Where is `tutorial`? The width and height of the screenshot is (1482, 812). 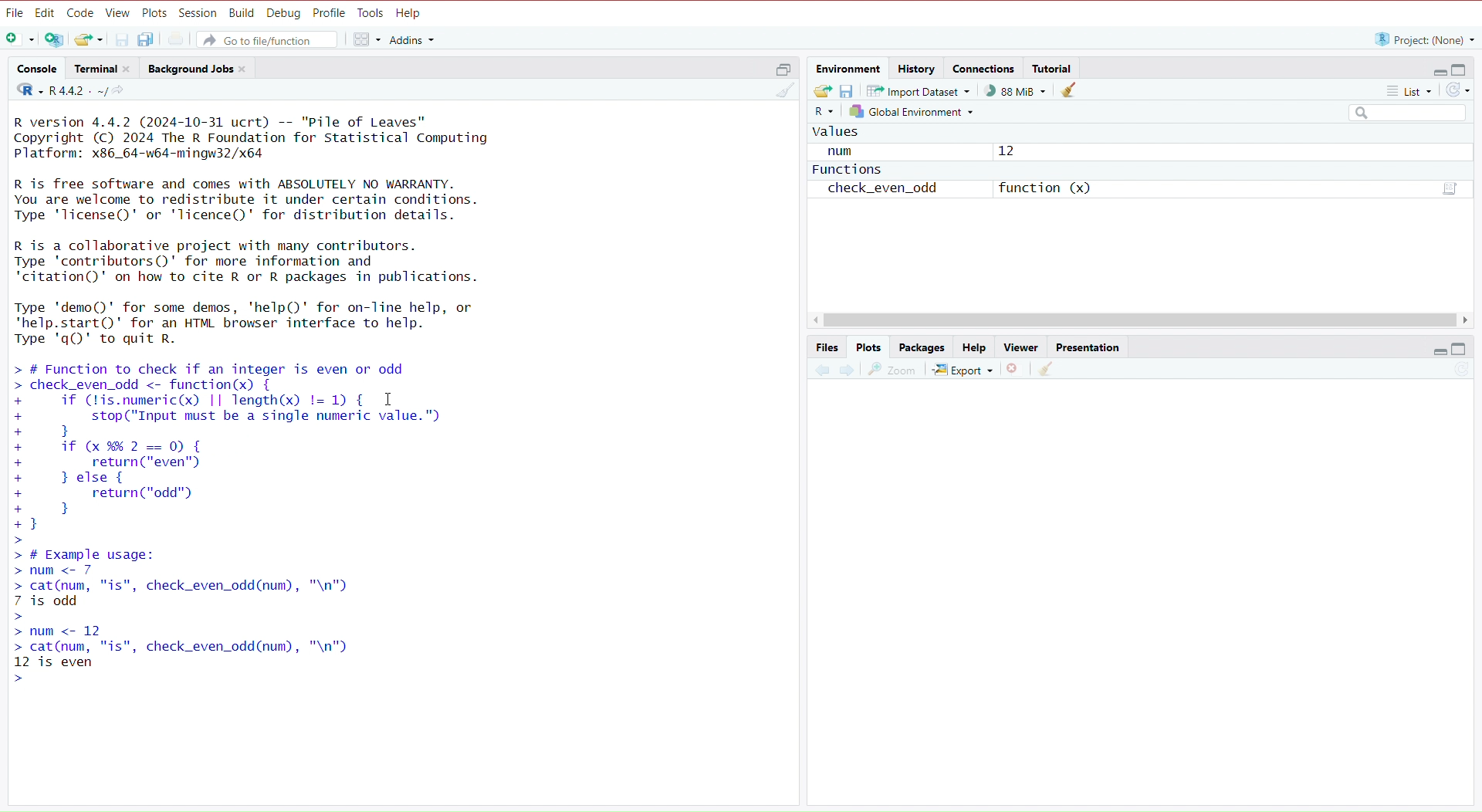
tutorial is located at coordinates (1054, 68).